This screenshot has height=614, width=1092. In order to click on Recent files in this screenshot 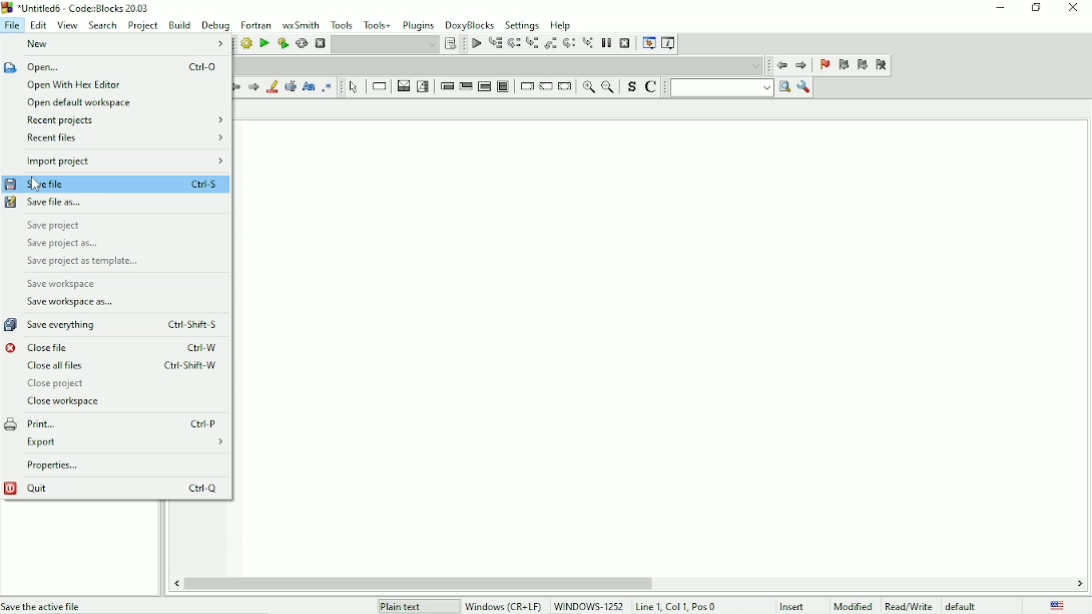, I will do `click(126, 137)`.